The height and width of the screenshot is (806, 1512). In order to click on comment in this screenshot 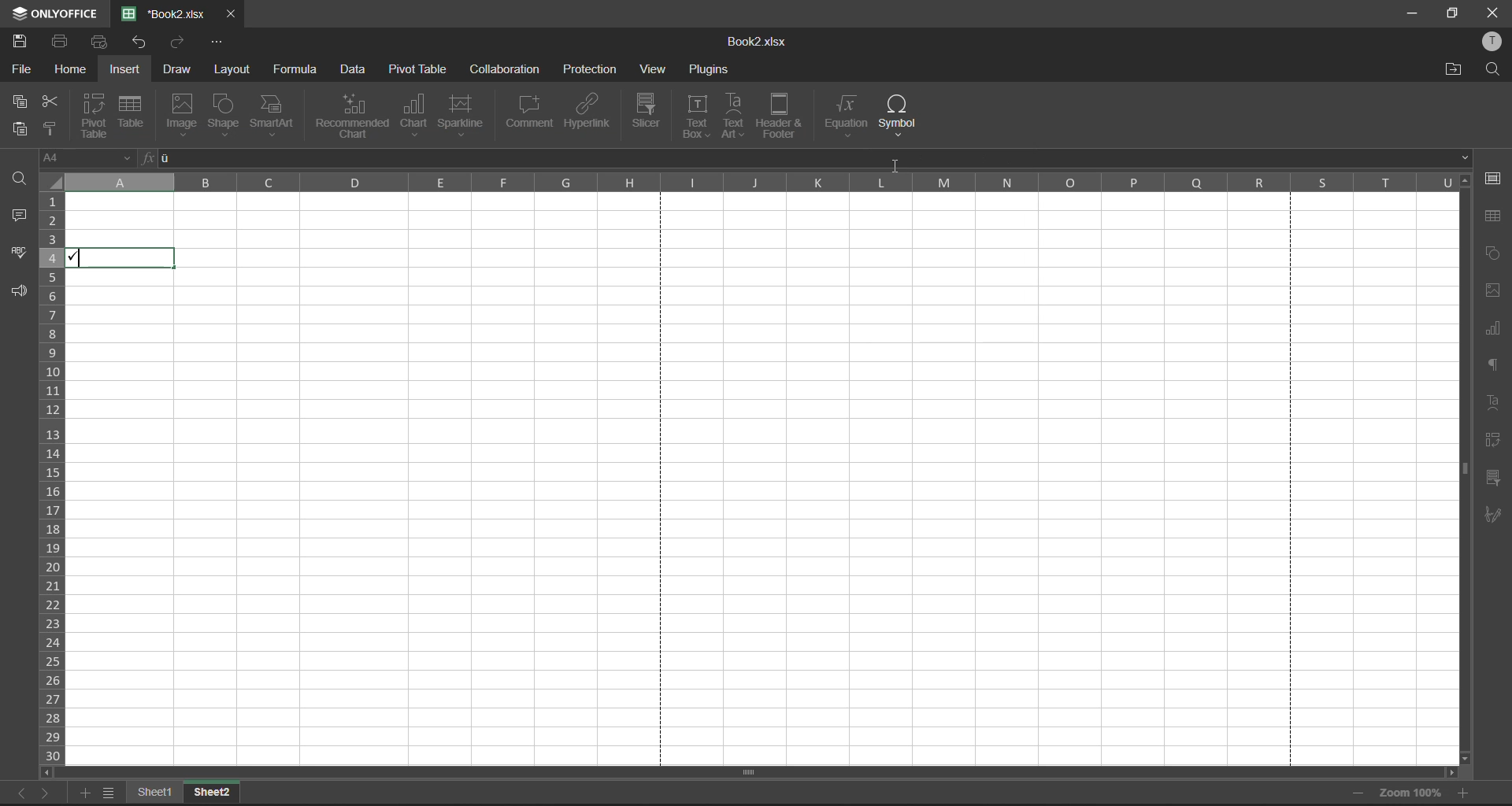, I will do `click(529, 112)`.